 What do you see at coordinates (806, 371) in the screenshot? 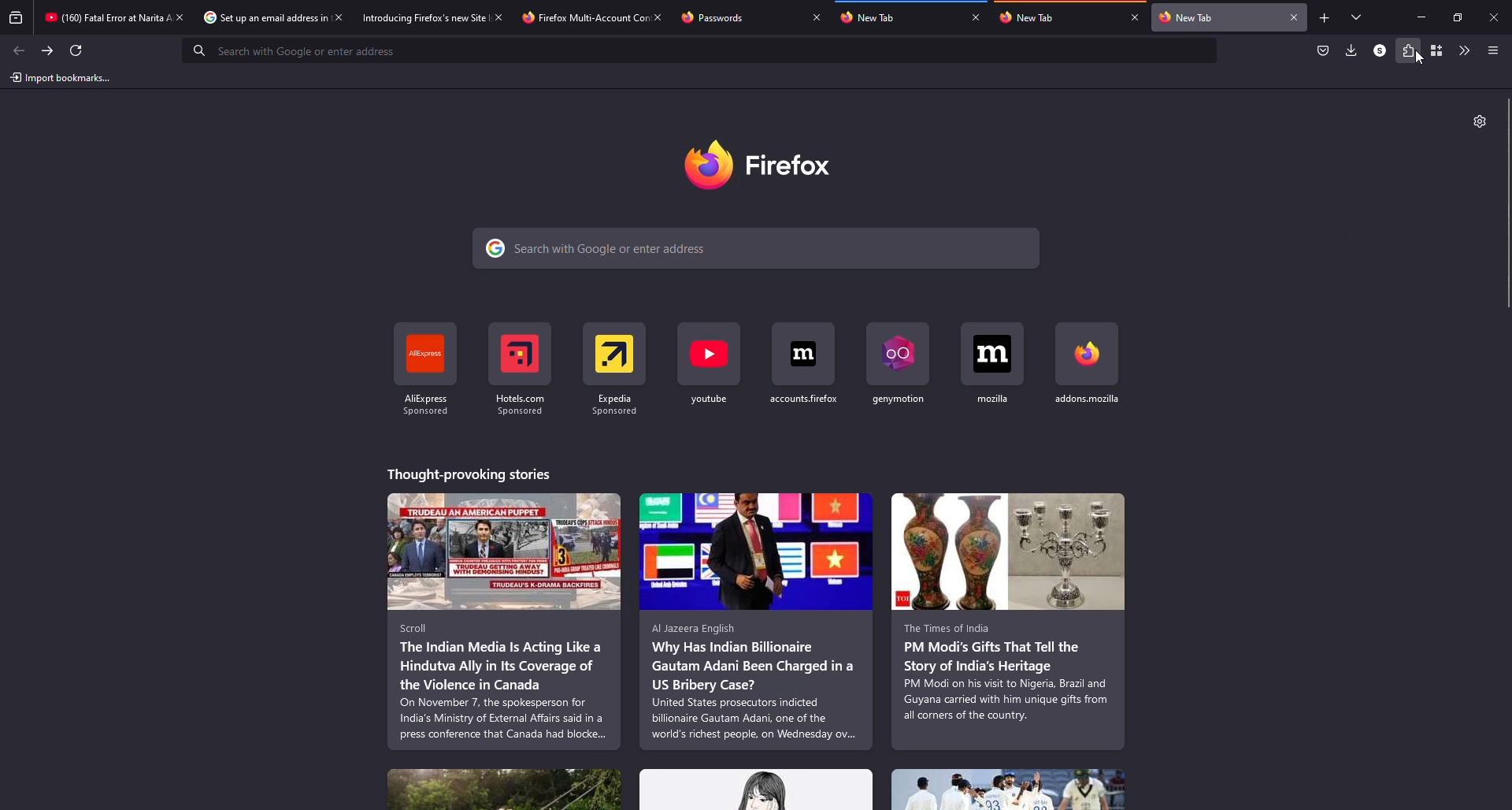
I see `shortcut` at bounding box center [806, 371].